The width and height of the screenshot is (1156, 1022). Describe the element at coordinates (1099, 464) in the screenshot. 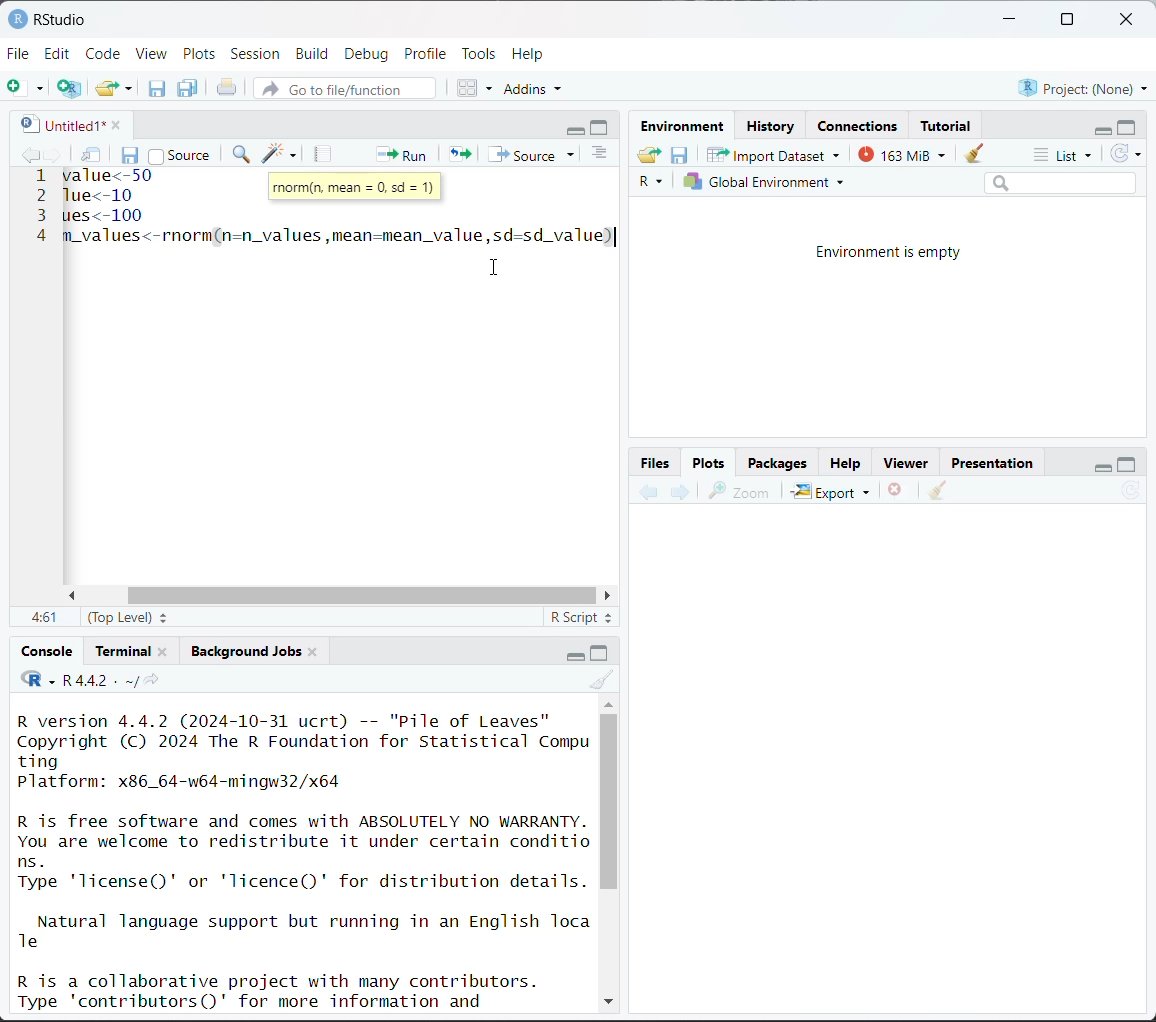

I see `minimize` at that location.